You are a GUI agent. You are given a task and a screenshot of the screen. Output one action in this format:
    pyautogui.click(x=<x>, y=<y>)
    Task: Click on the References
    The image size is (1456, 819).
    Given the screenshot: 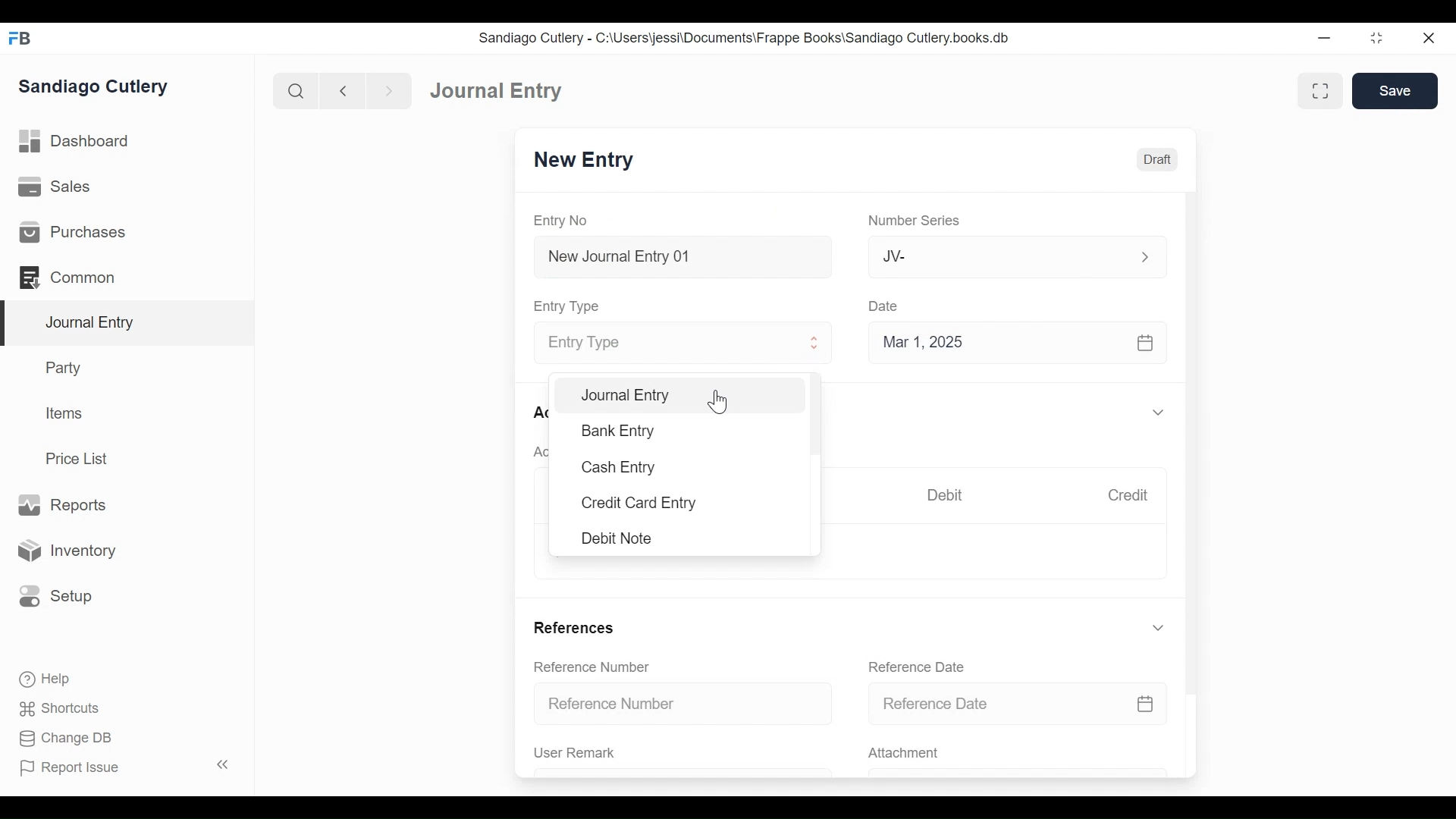 What is the action you would take?
    pyautogui.click(x=571, y=631)
    